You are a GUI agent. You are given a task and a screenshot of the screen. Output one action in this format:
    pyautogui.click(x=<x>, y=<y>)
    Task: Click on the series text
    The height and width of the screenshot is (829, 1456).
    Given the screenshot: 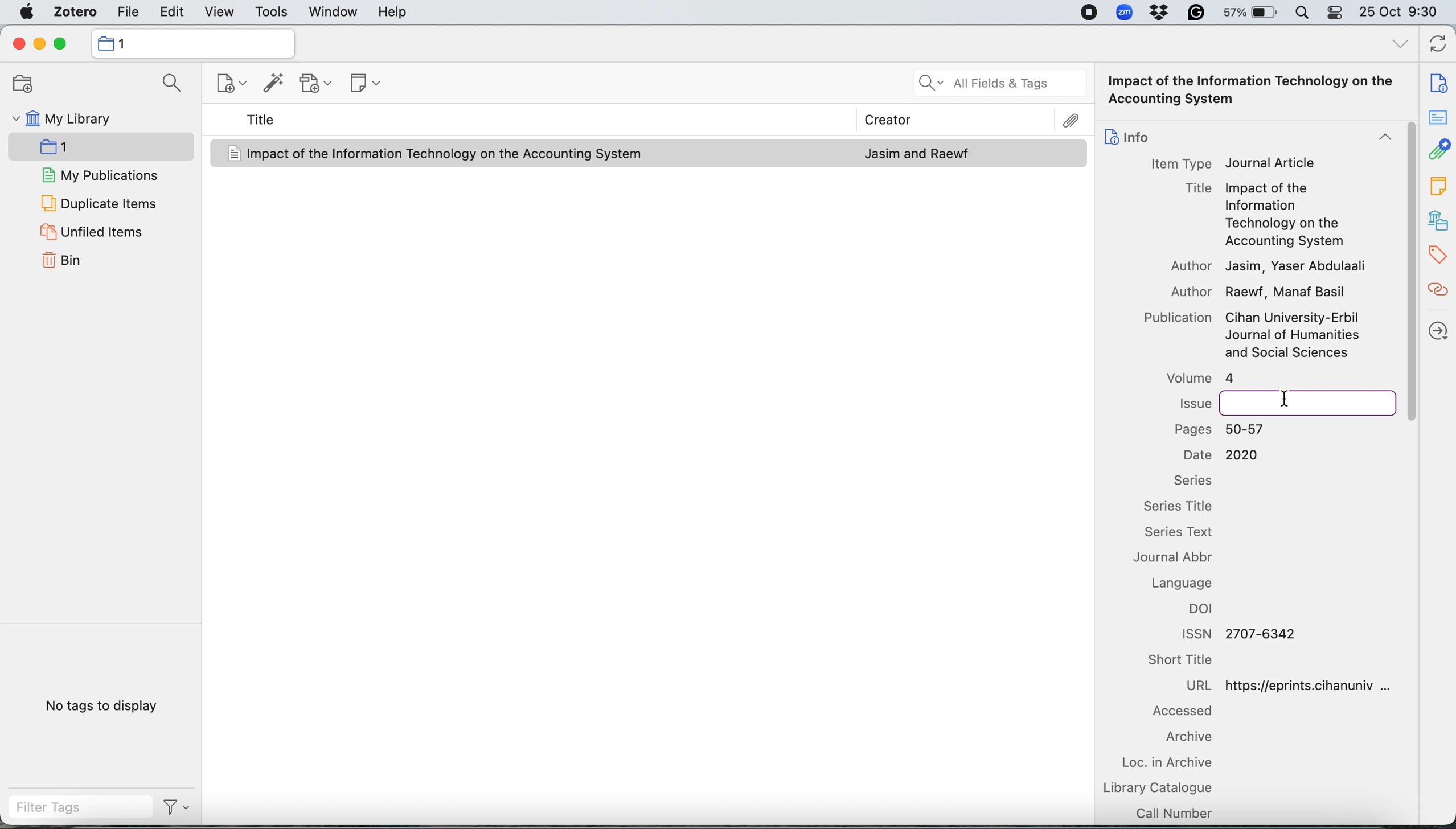 What is the action you would take?
    pyautogui.click(x=1188, y=533)
    